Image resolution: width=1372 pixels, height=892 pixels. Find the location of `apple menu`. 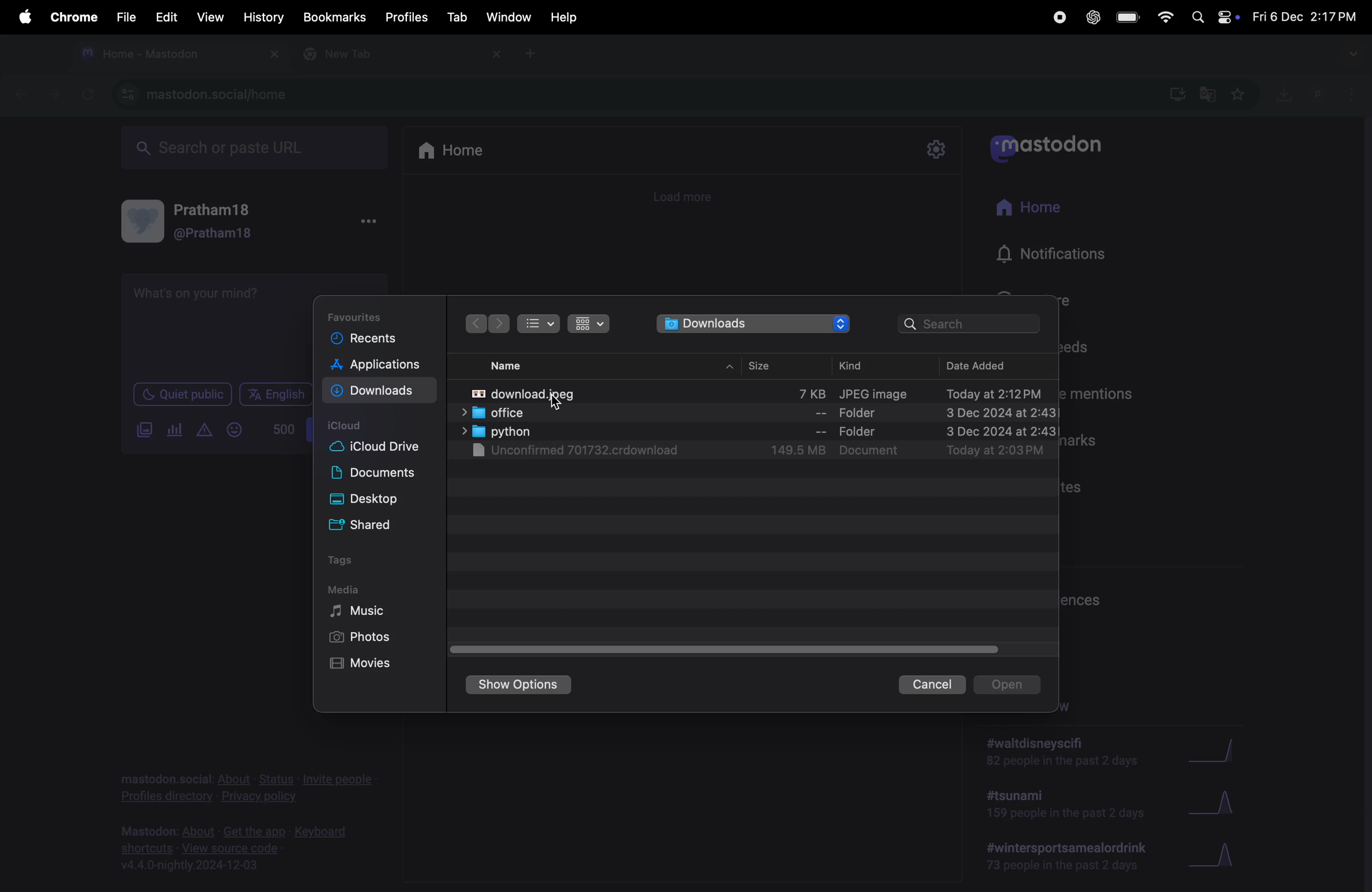

apple menu is located at coordinates (24, 17).